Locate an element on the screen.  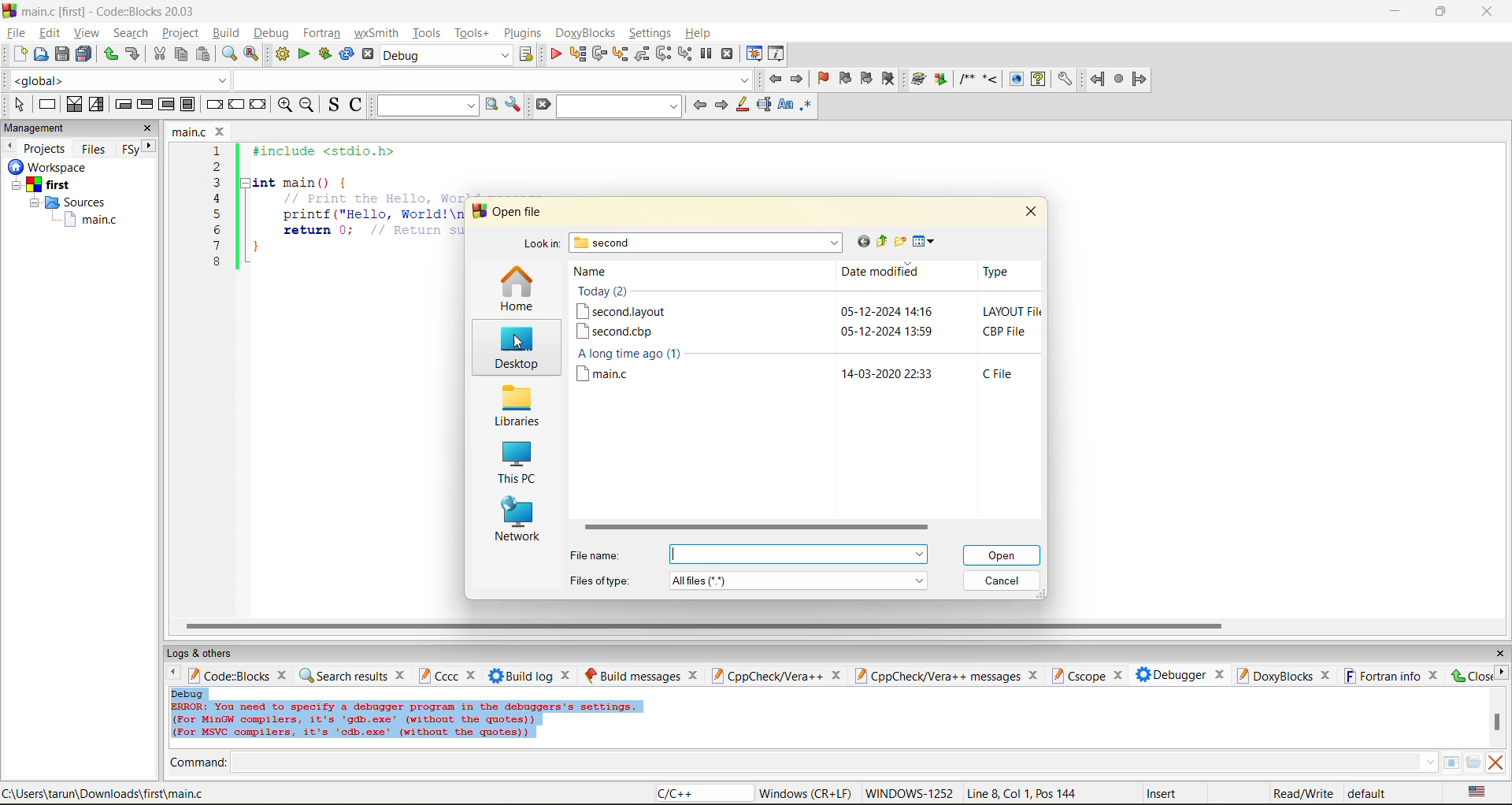
file type is located at coordinates (1014, 312).